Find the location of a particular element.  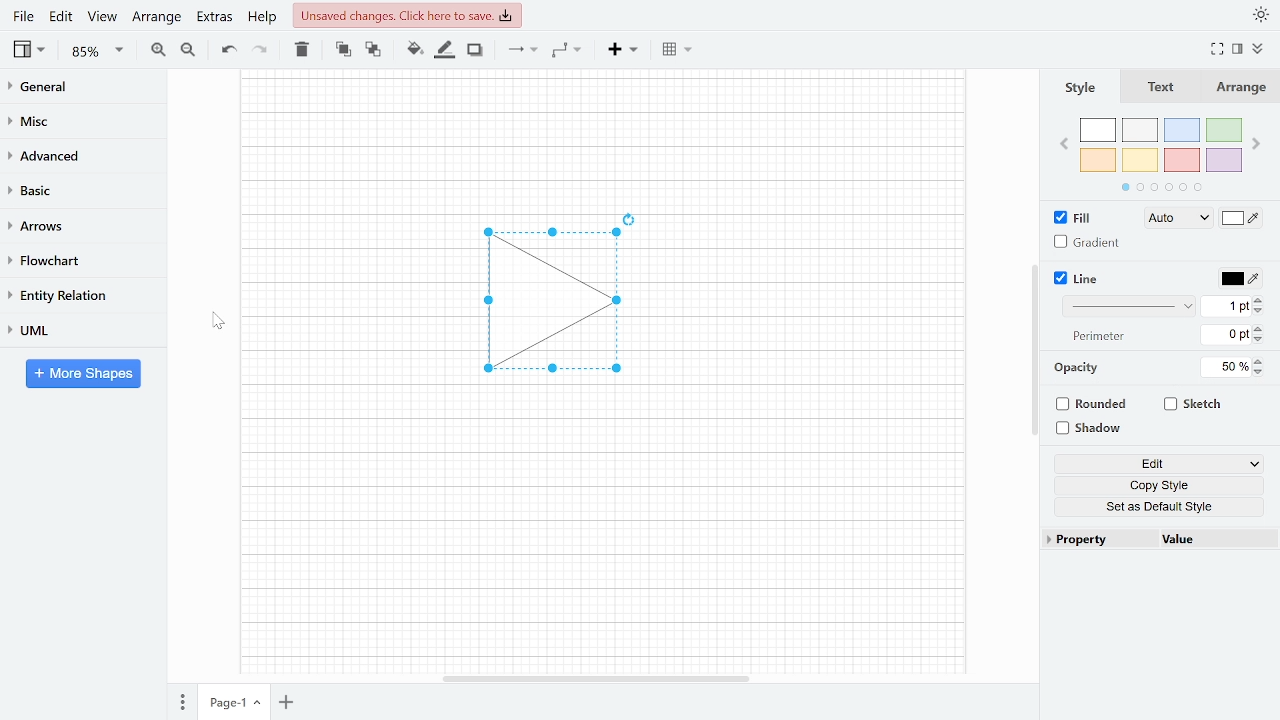

green is located at coordinates (1225, 131).